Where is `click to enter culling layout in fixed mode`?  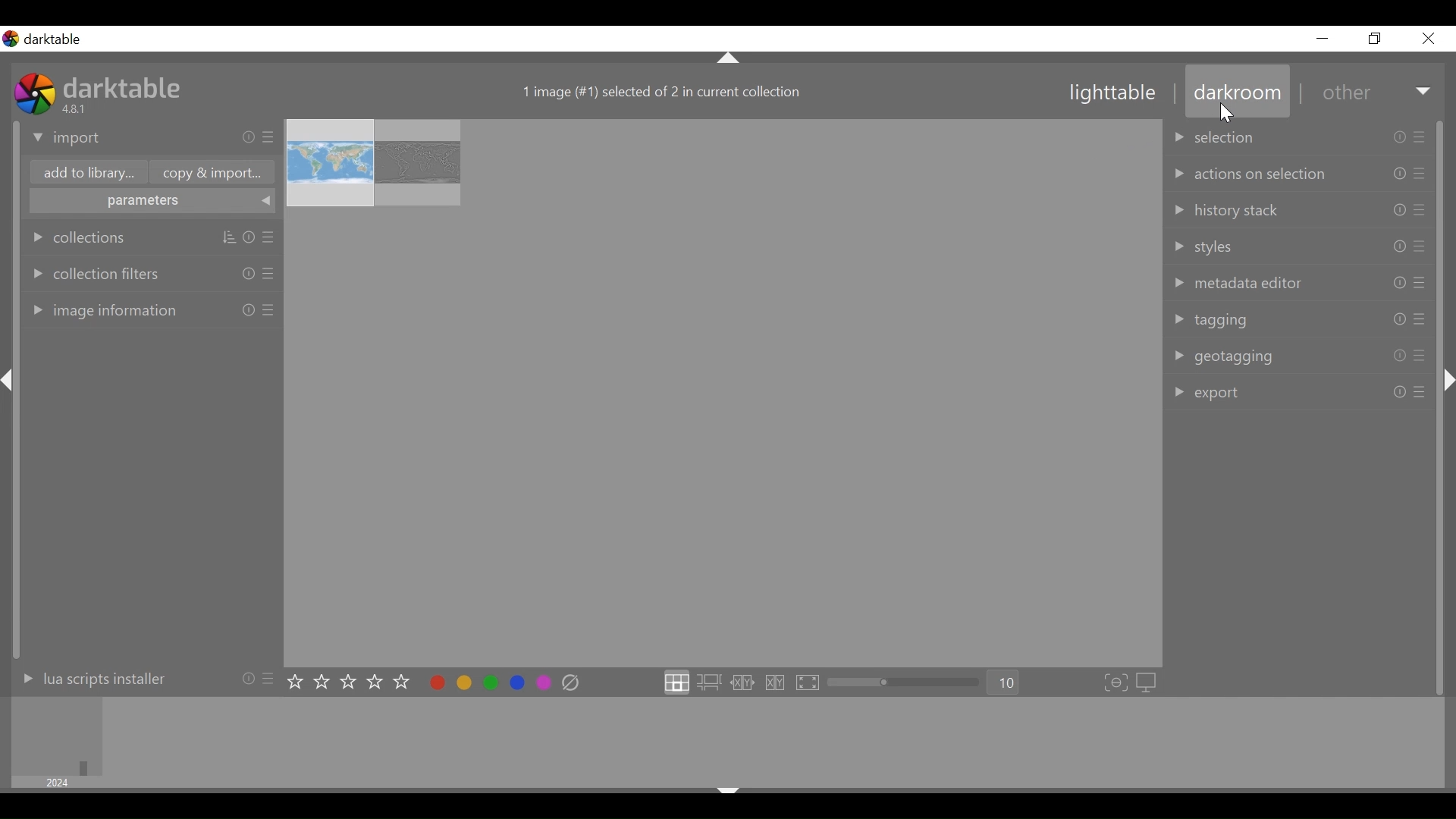 click to enter culling layout in fixed mode is located at coordinates (743, 683).